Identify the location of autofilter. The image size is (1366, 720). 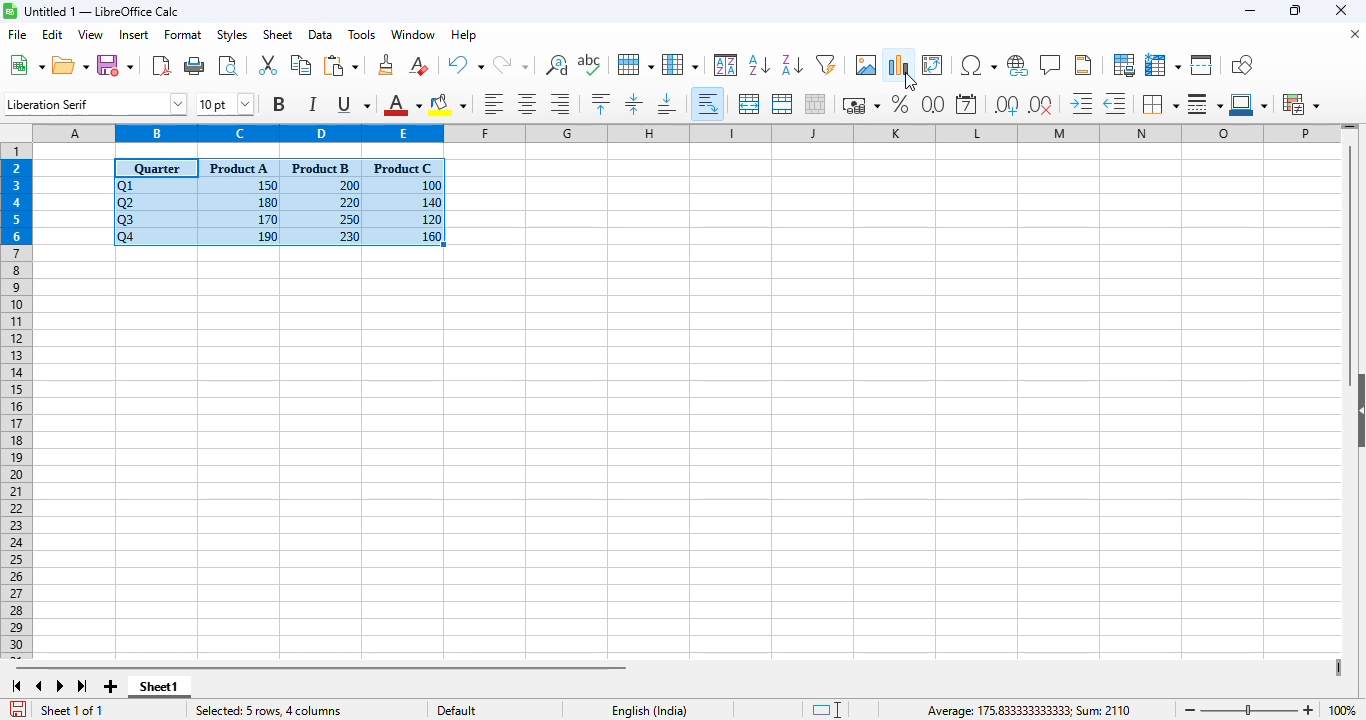
(826, 64).